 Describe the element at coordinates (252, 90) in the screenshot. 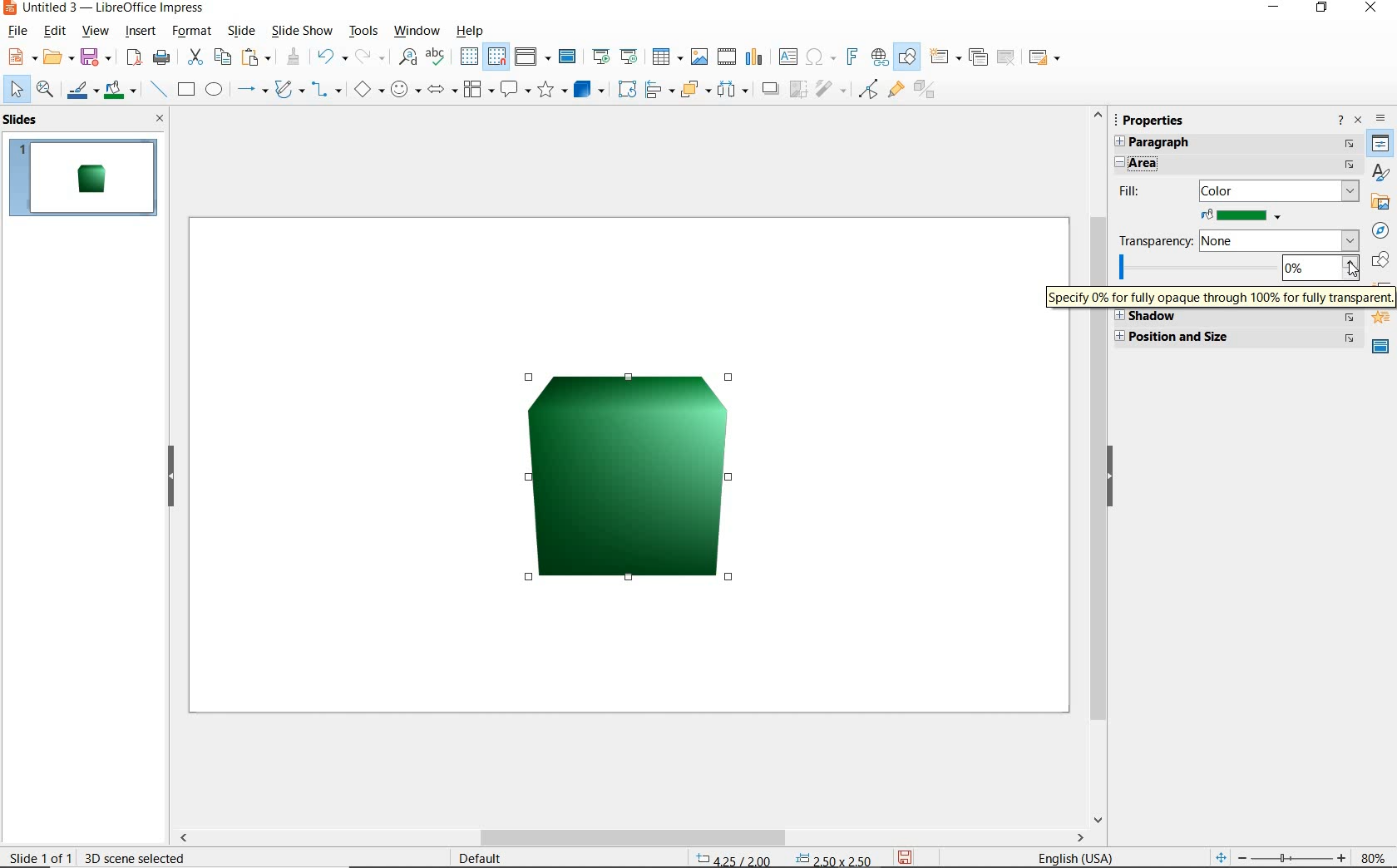

I see `lines and arrows` at that location.